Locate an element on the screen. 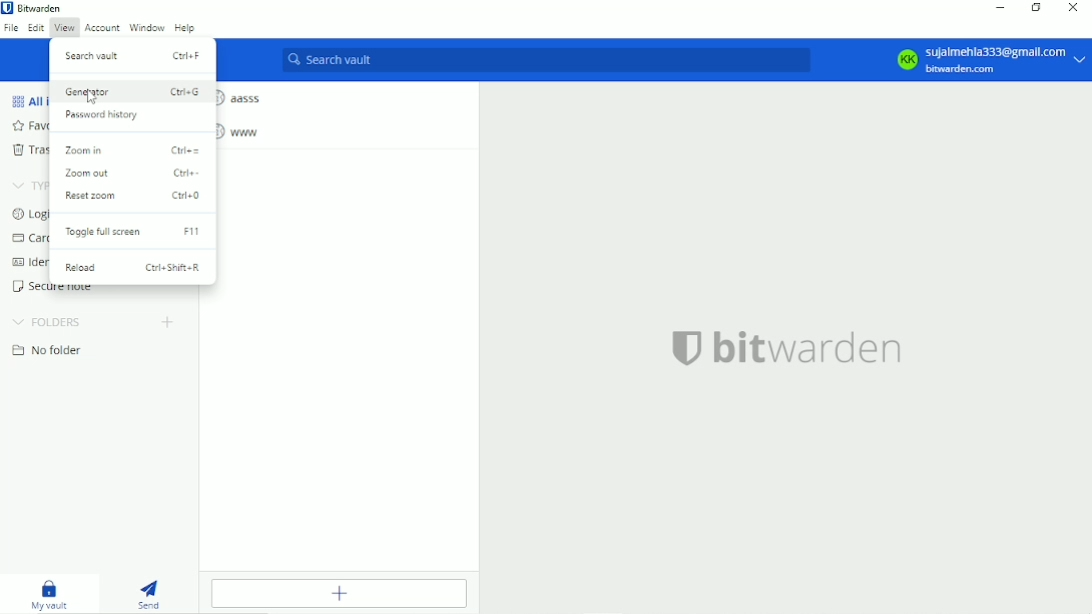  Minimize is located at coordinates (997, 9).